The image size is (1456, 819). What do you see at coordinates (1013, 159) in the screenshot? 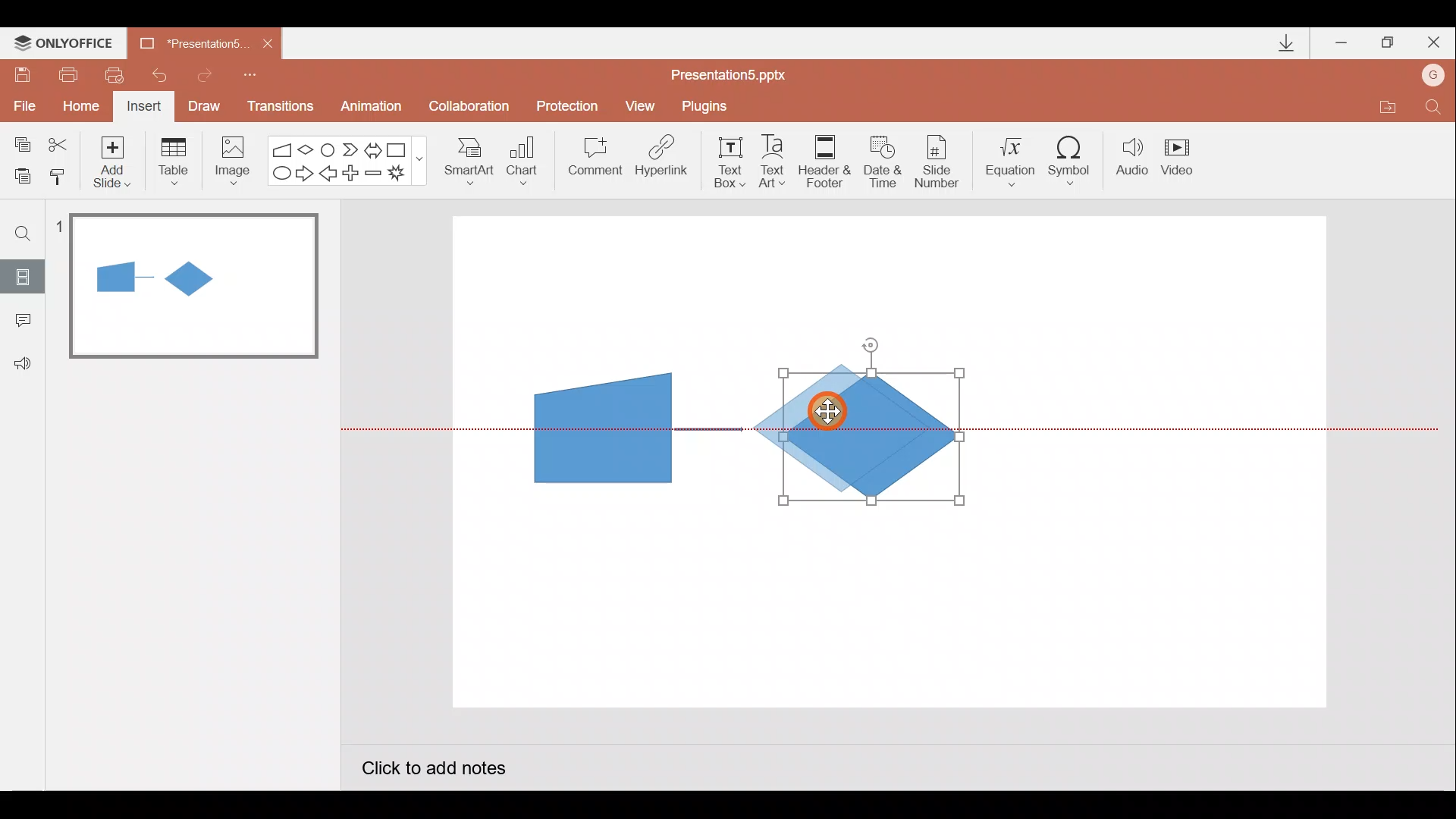
I see `Equation` at bounding box center [1013, 159].